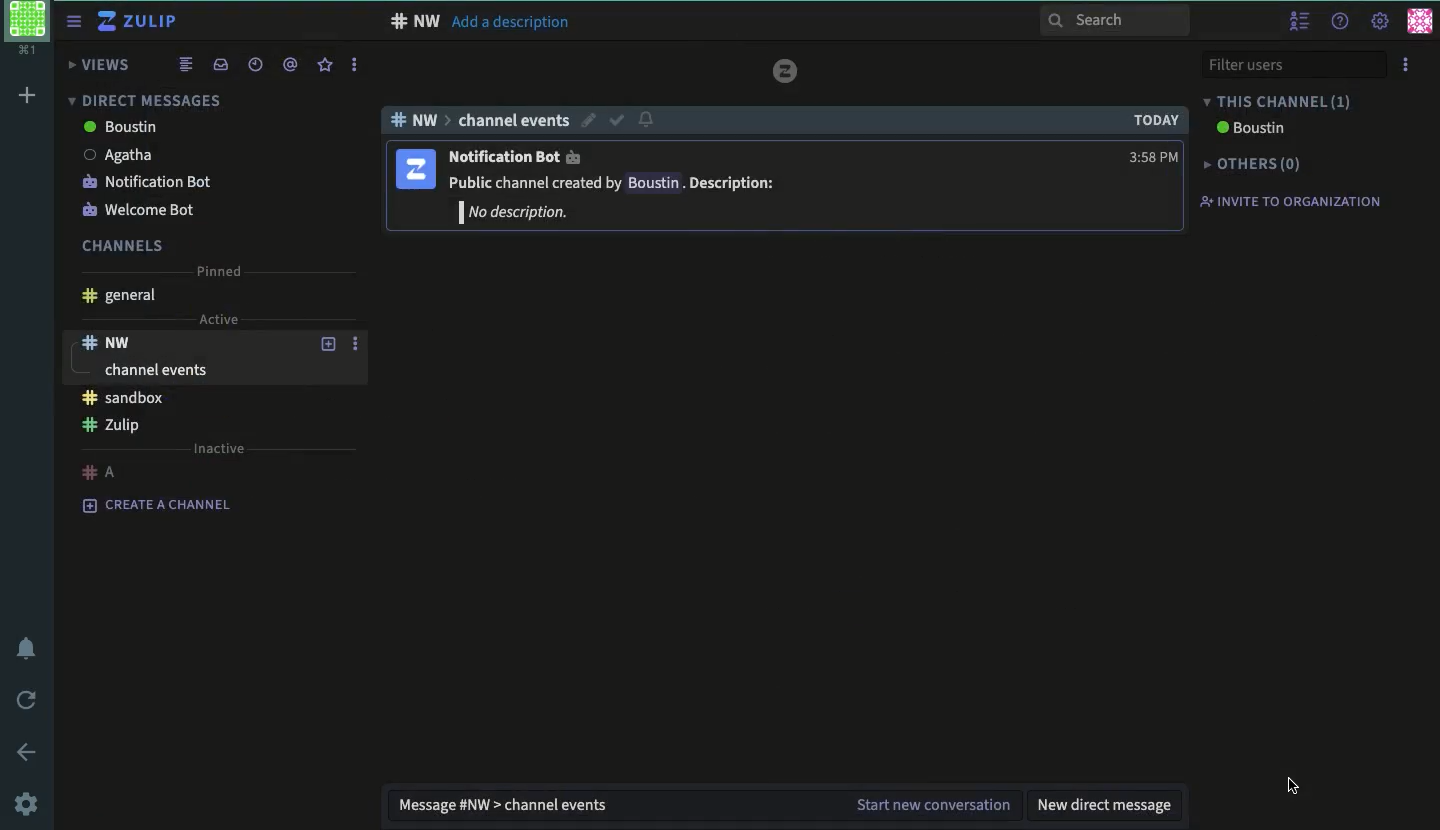 The height and width of the screenshot is (830, 1440). I want to click on mention, so click(288, 64).